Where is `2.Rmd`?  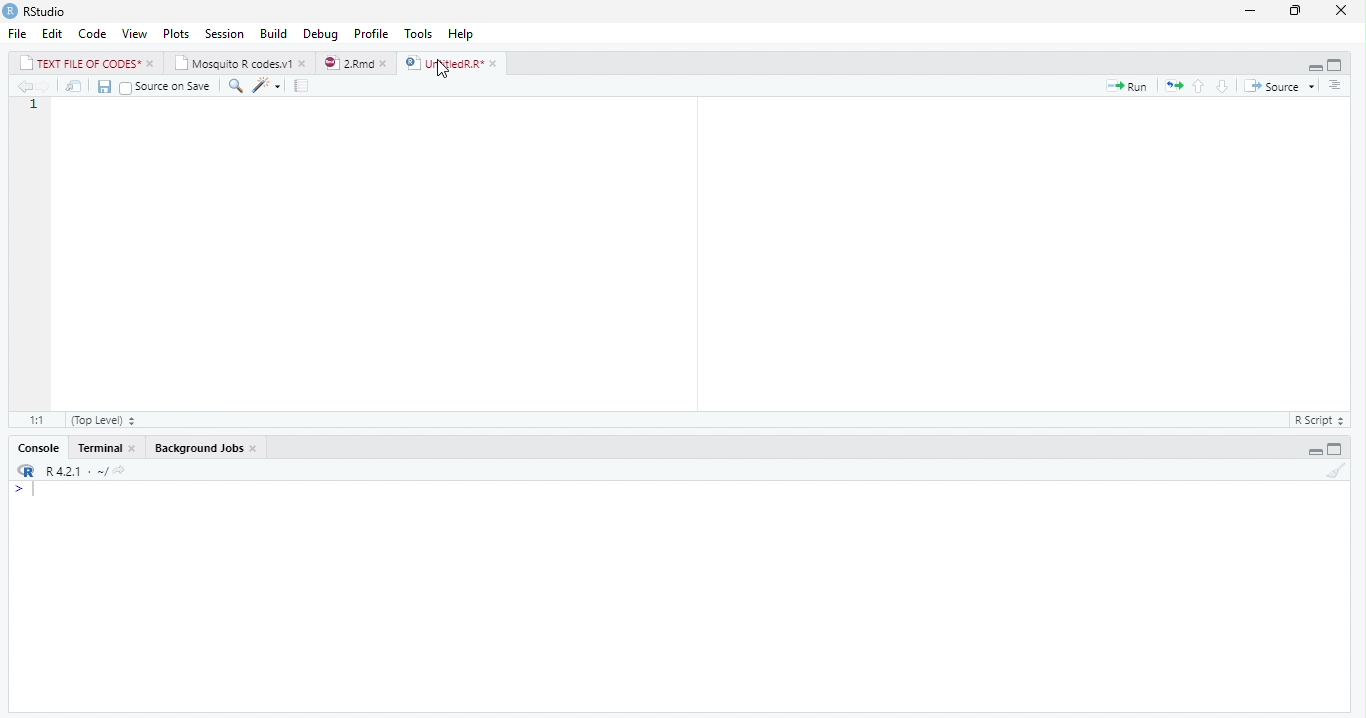 2.Rmd is located at coordinates (356, 64).